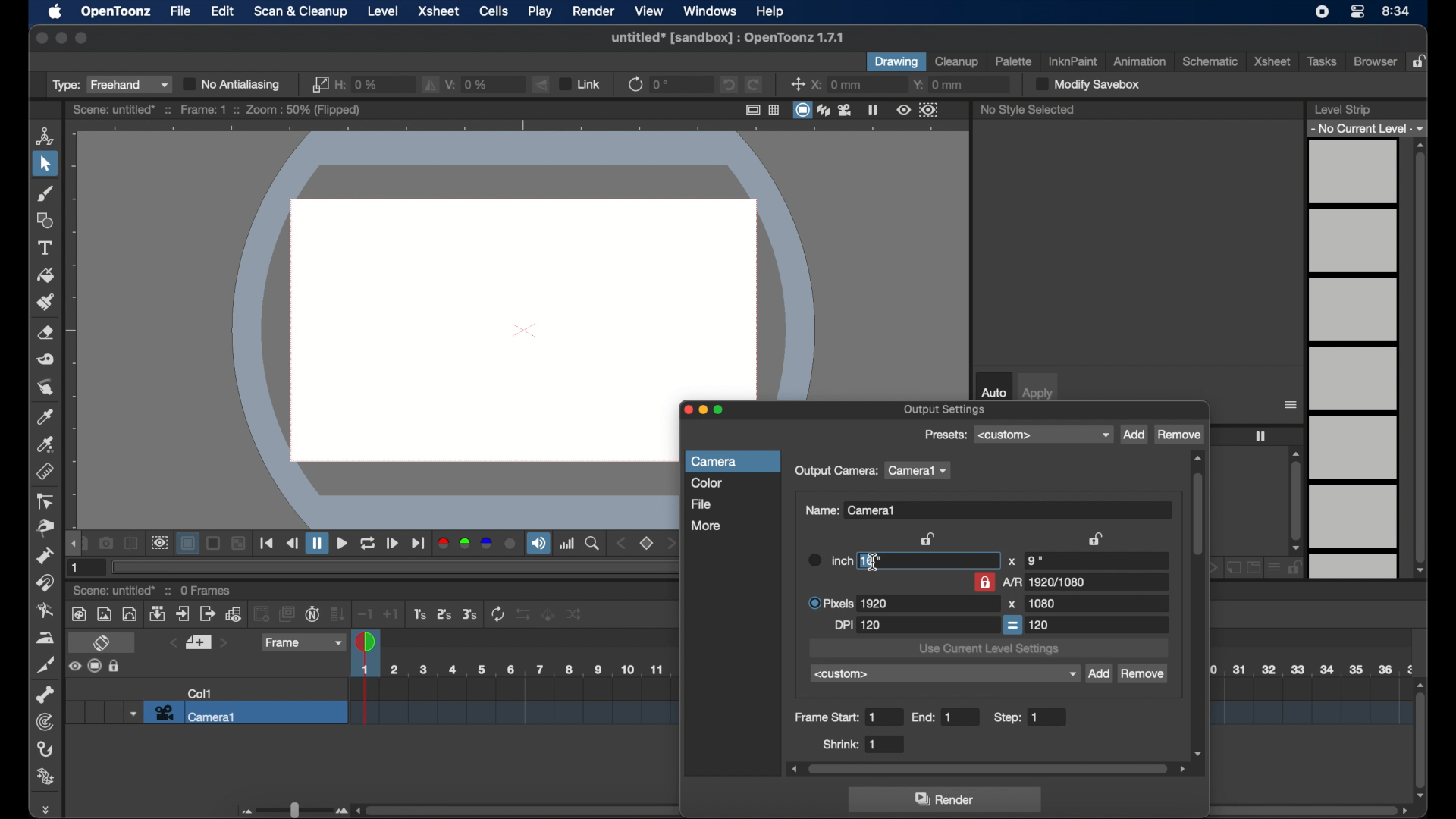 Image resolution: width=1456 pixels, height=819 pixels. I want to click on soundtrack, so click(538, 544).